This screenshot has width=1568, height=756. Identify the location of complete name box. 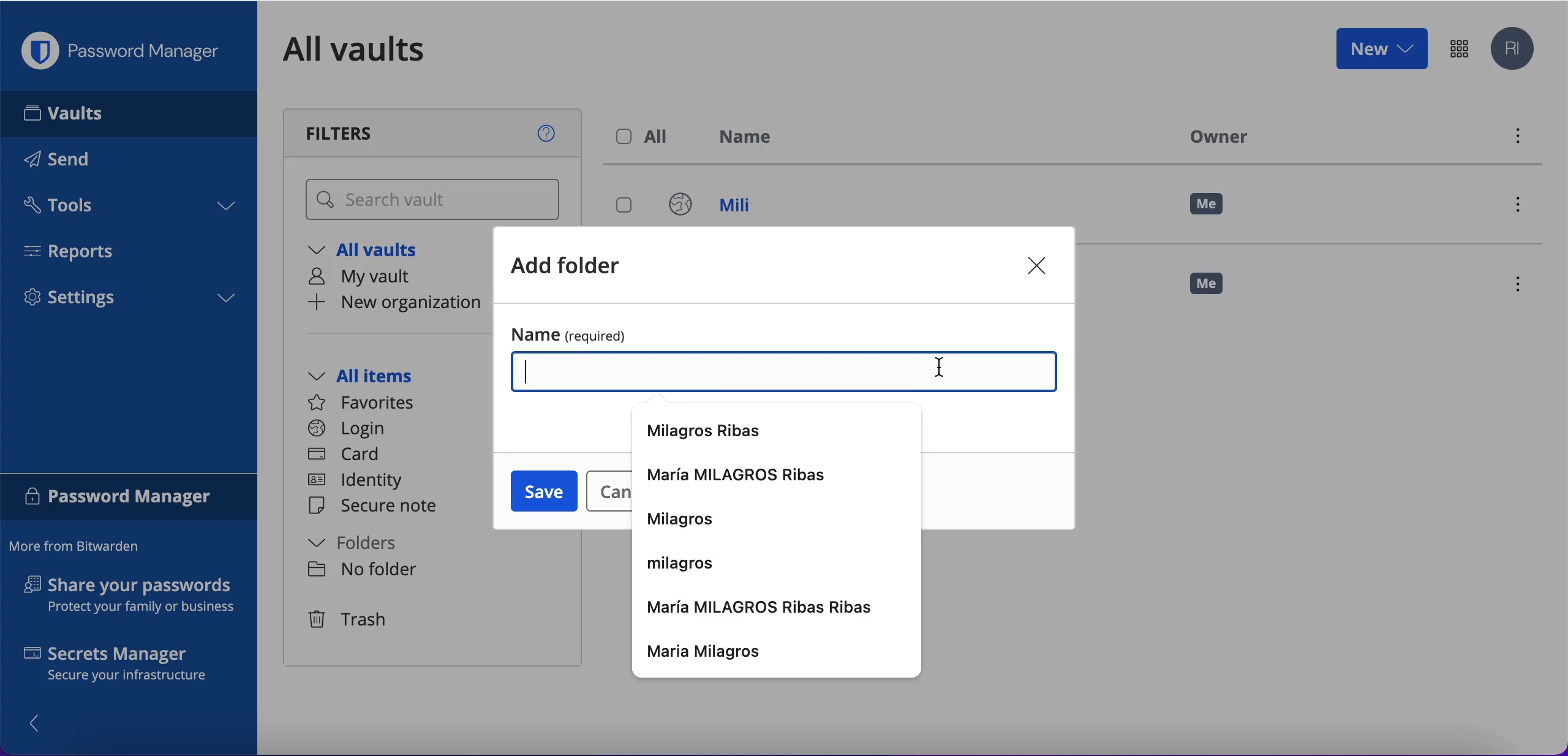
(786, 374).